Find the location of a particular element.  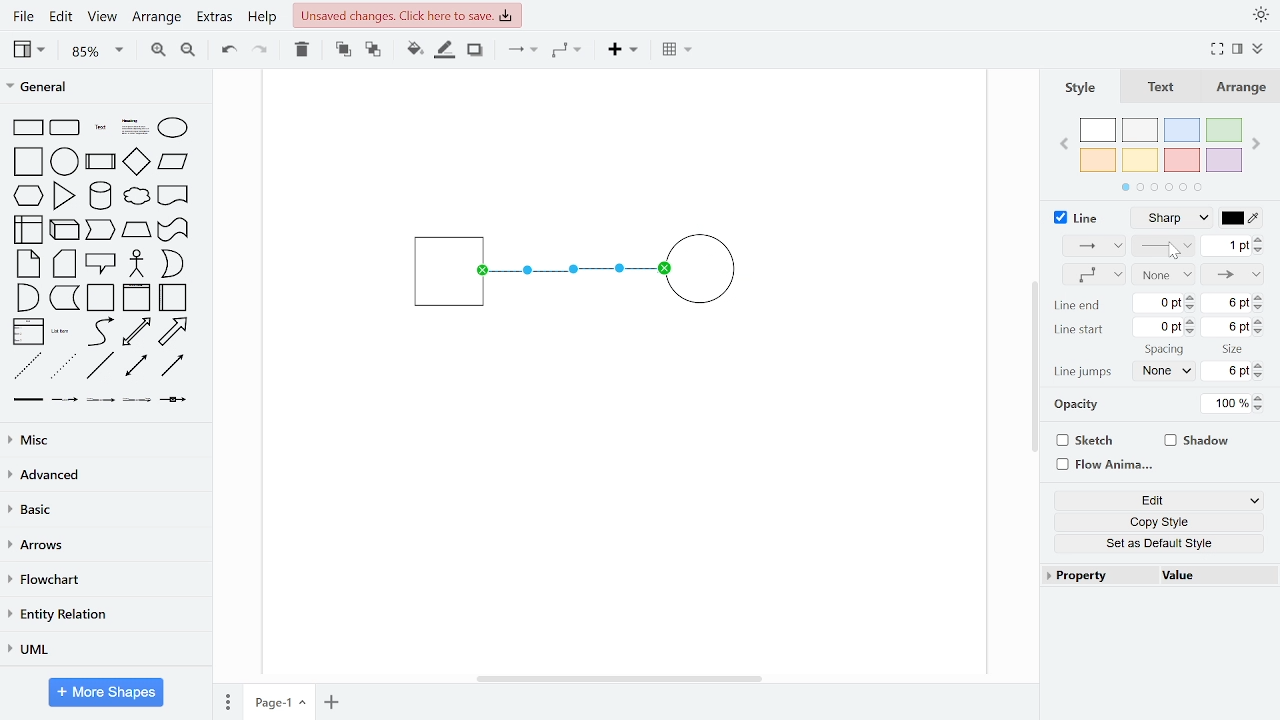

sketch is located at coordinates (1082, 441).